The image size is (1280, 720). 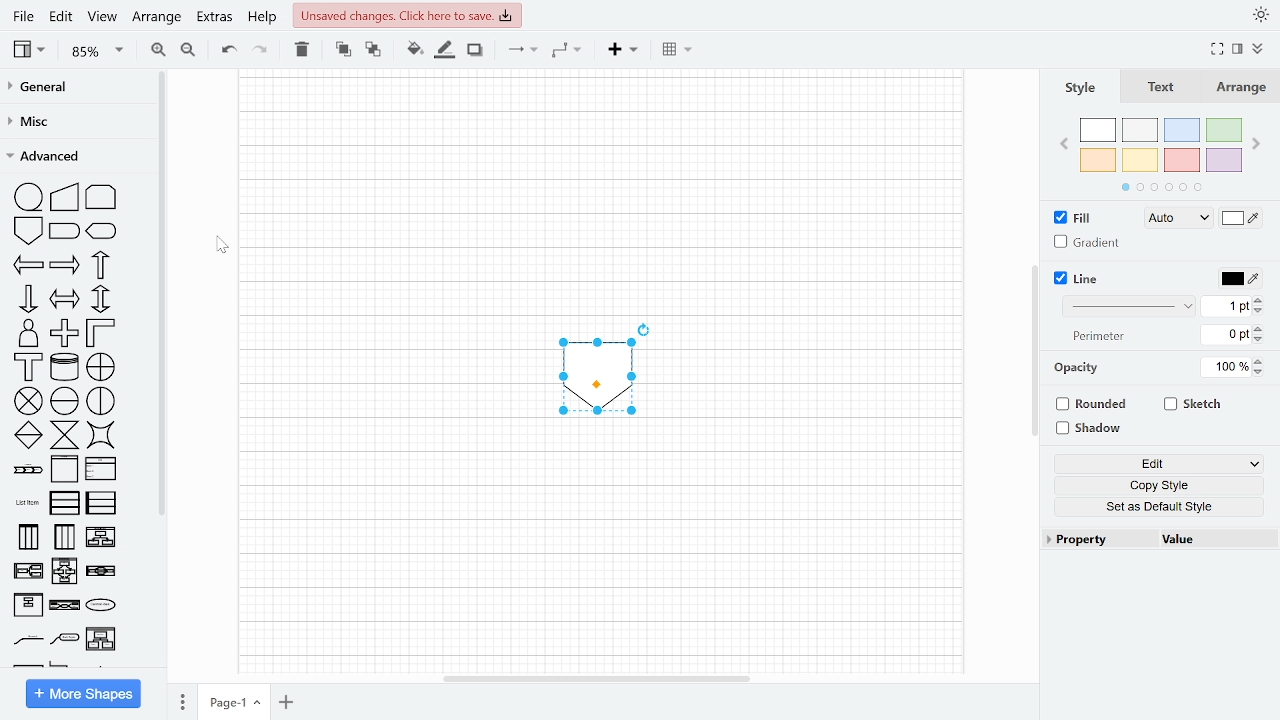 I want to click on orange, so click(x=1098, y=159).